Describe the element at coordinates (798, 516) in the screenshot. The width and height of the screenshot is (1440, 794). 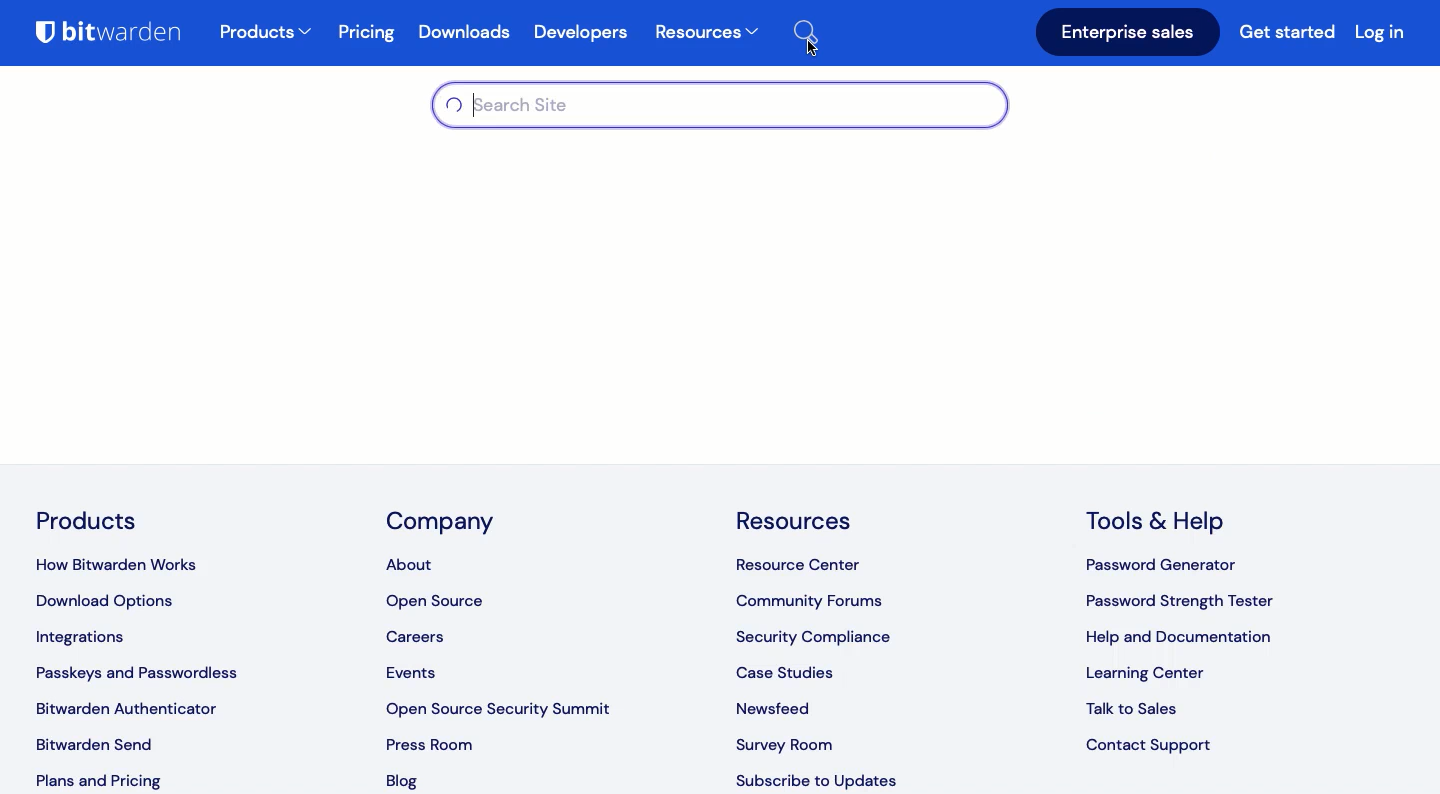
I see `resources` at that location.